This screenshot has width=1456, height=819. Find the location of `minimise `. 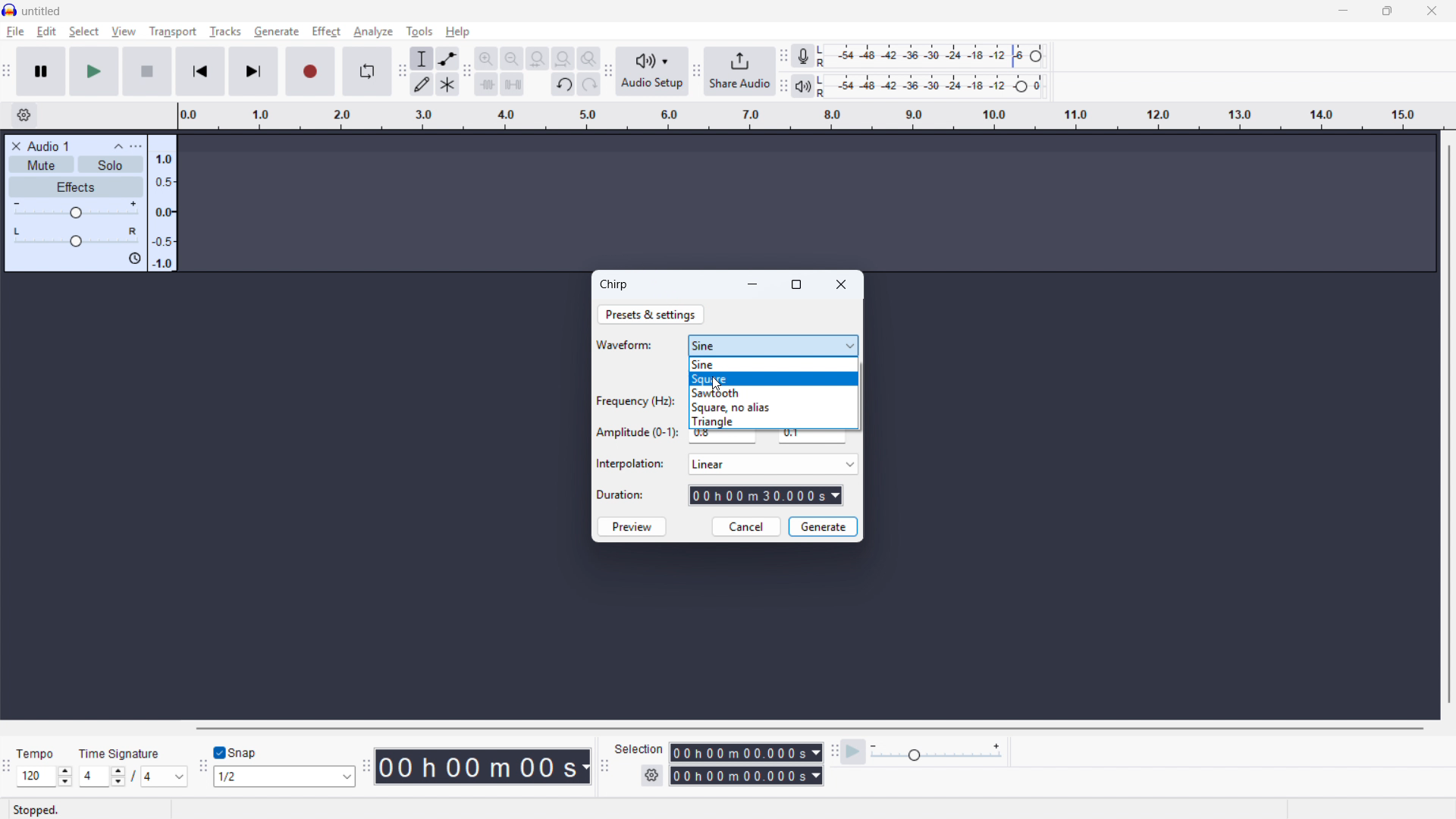

minimise  is located at coordinates (1345, 11).